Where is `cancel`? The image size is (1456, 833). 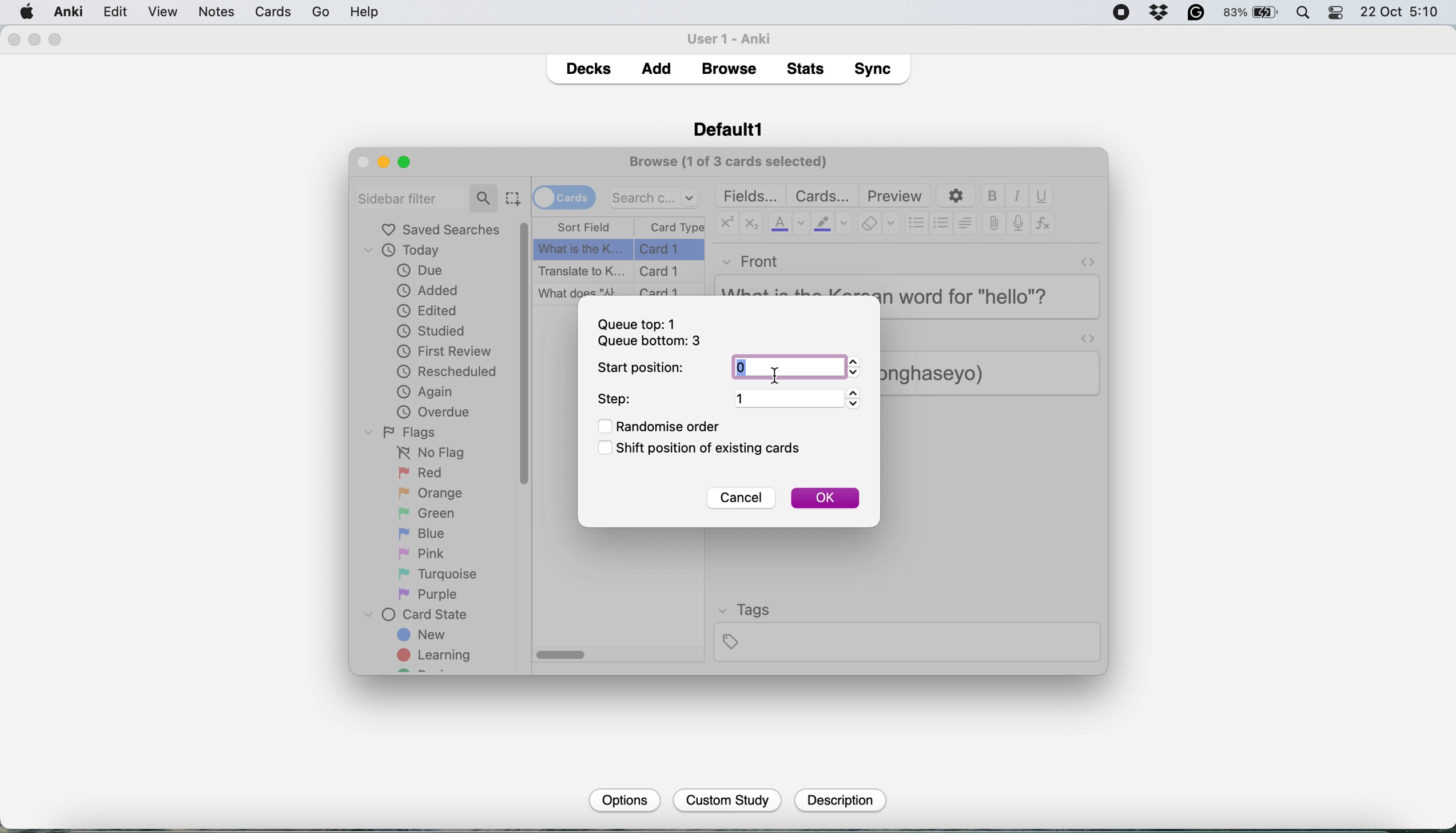
cancel is located at coordinates (739, 499).